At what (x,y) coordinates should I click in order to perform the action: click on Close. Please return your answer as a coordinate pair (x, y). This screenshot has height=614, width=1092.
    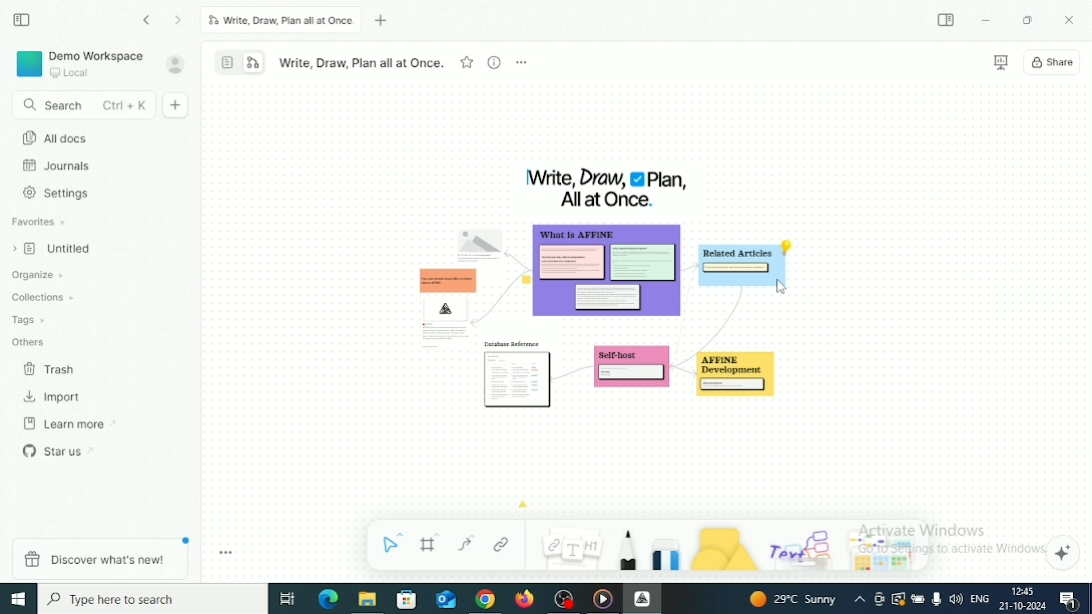
    Looking at the image, I should click on (1070, 19).